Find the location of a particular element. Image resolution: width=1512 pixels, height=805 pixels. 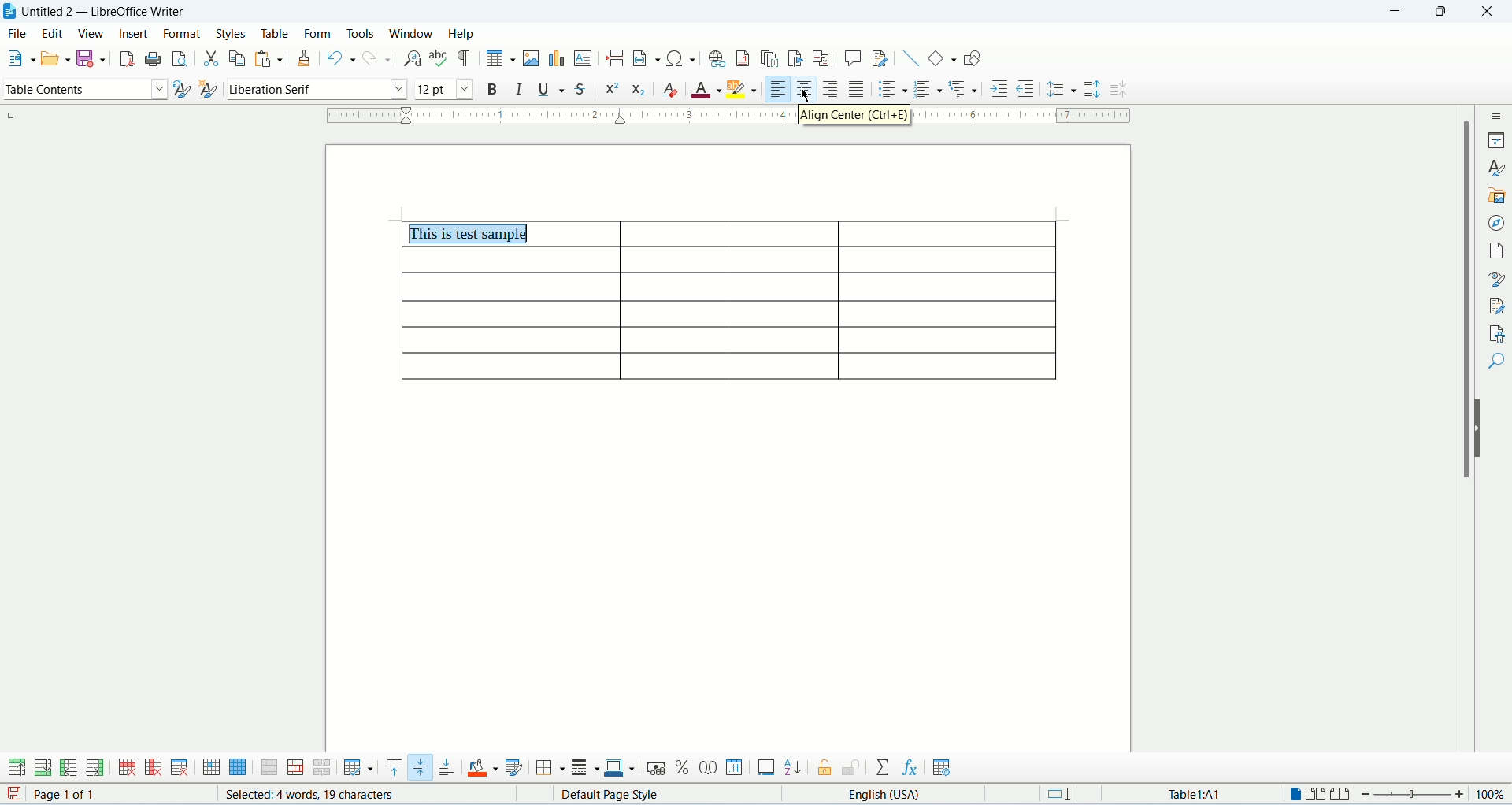

align right is located at coordinates (833, 88).